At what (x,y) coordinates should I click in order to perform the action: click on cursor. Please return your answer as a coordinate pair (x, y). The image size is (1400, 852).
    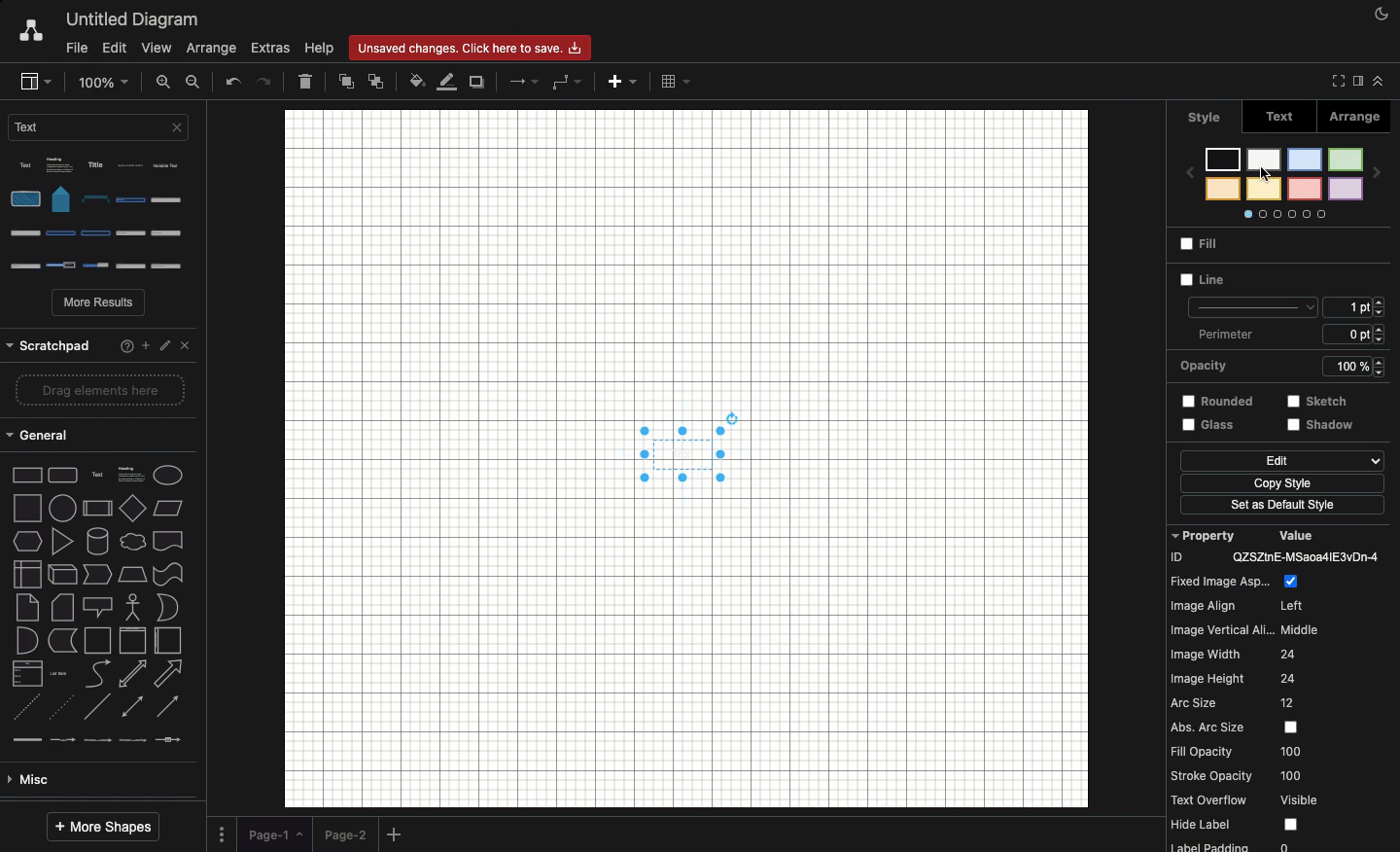
    Looking at the image, I should click on (1271, 173).